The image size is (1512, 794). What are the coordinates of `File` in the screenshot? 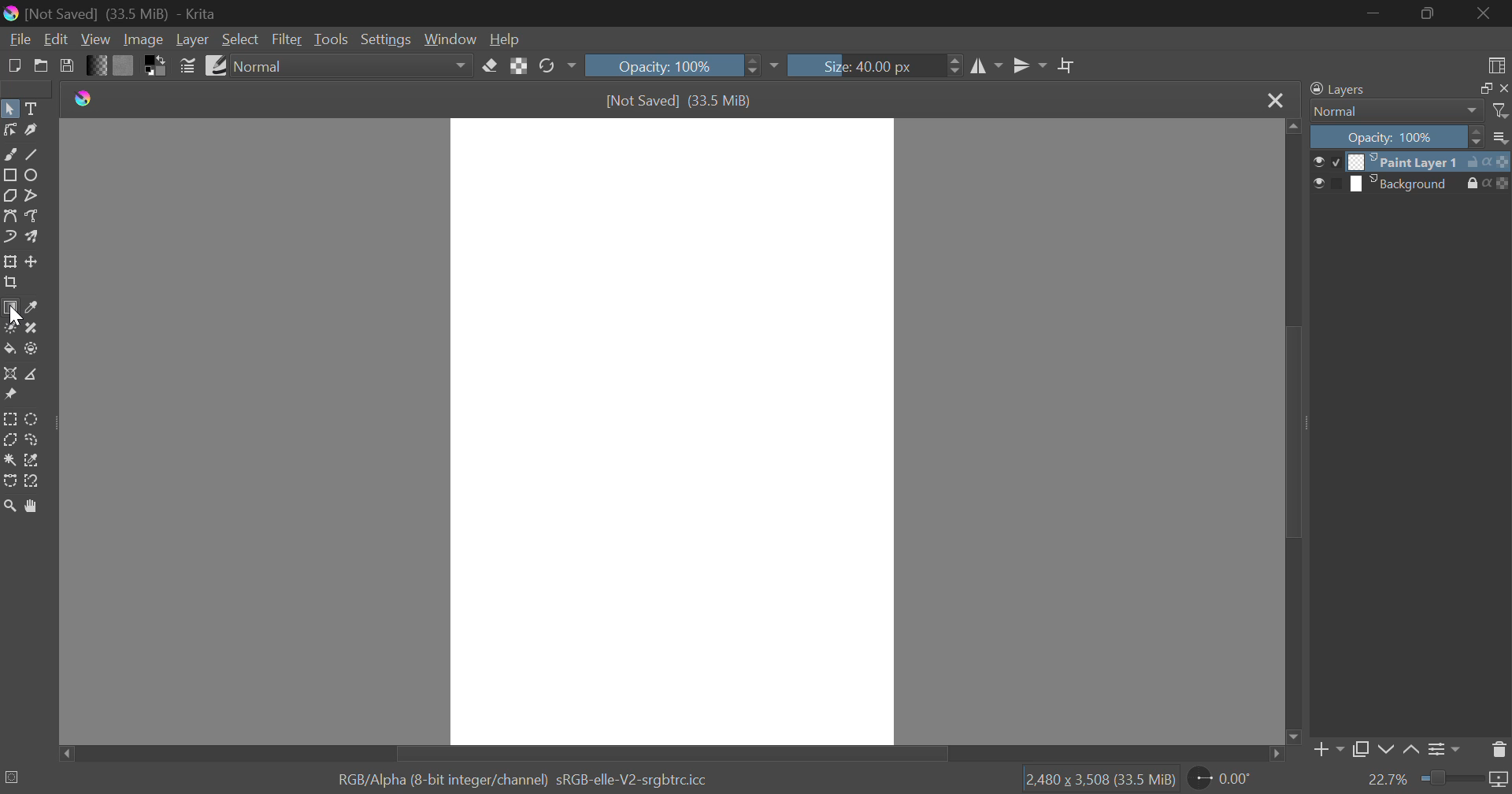 It's located at (18, 38).